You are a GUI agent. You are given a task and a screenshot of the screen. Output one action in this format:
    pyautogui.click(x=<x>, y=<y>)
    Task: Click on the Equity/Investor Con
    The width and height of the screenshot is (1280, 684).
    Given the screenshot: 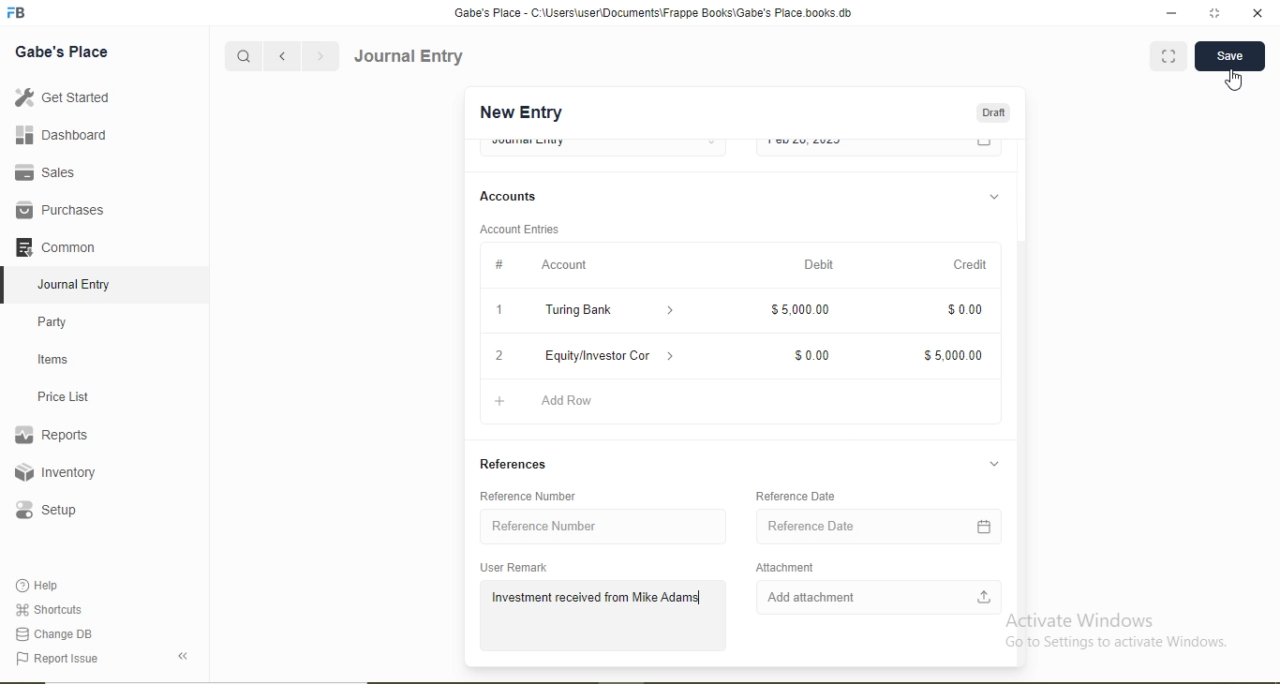 What is the action you would take?
    pyautogui.click(x=598, y=356)
    